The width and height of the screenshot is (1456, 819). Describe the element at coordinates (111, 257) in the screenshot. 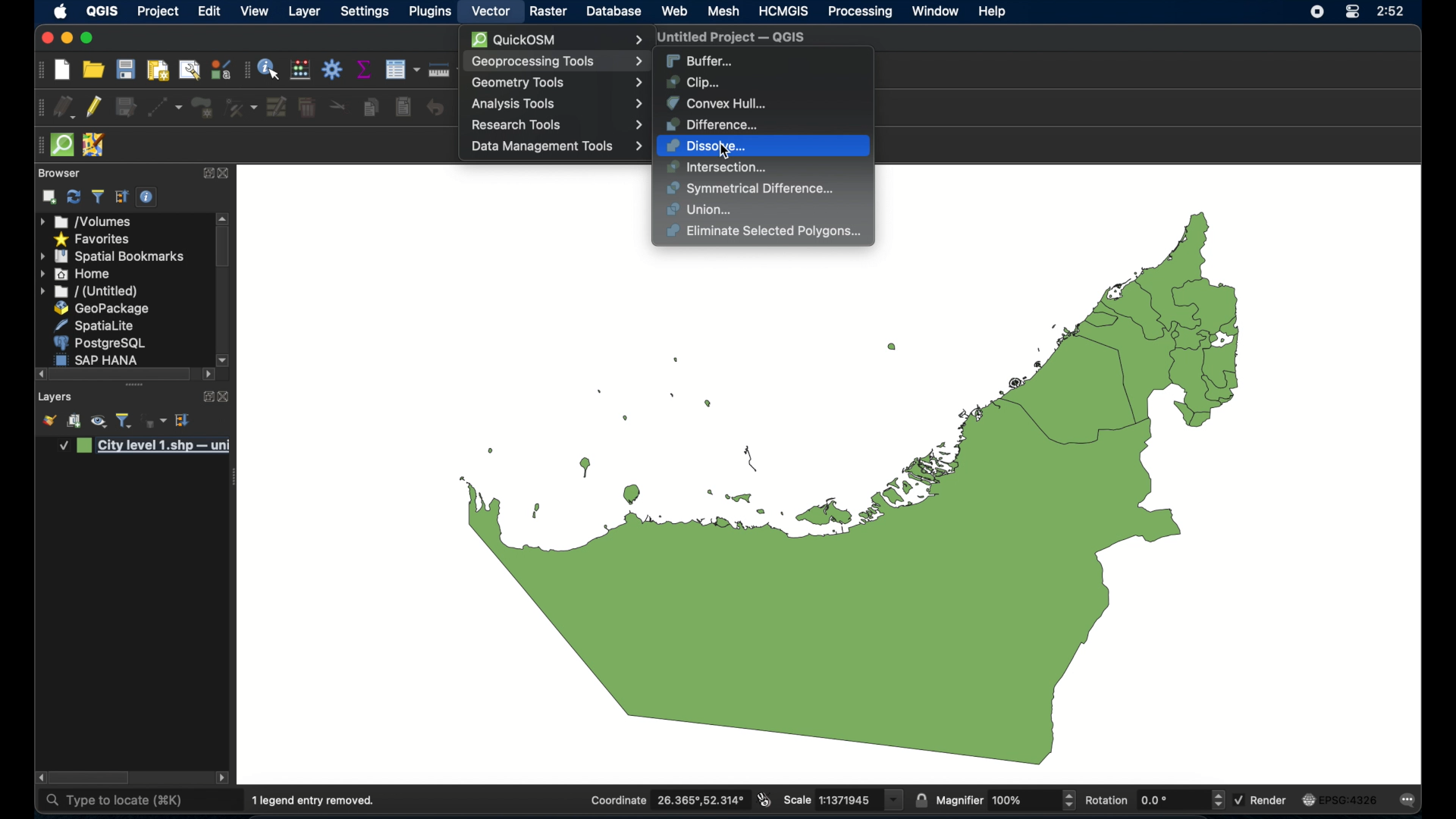

I see `spatial bookmarks` at that location.